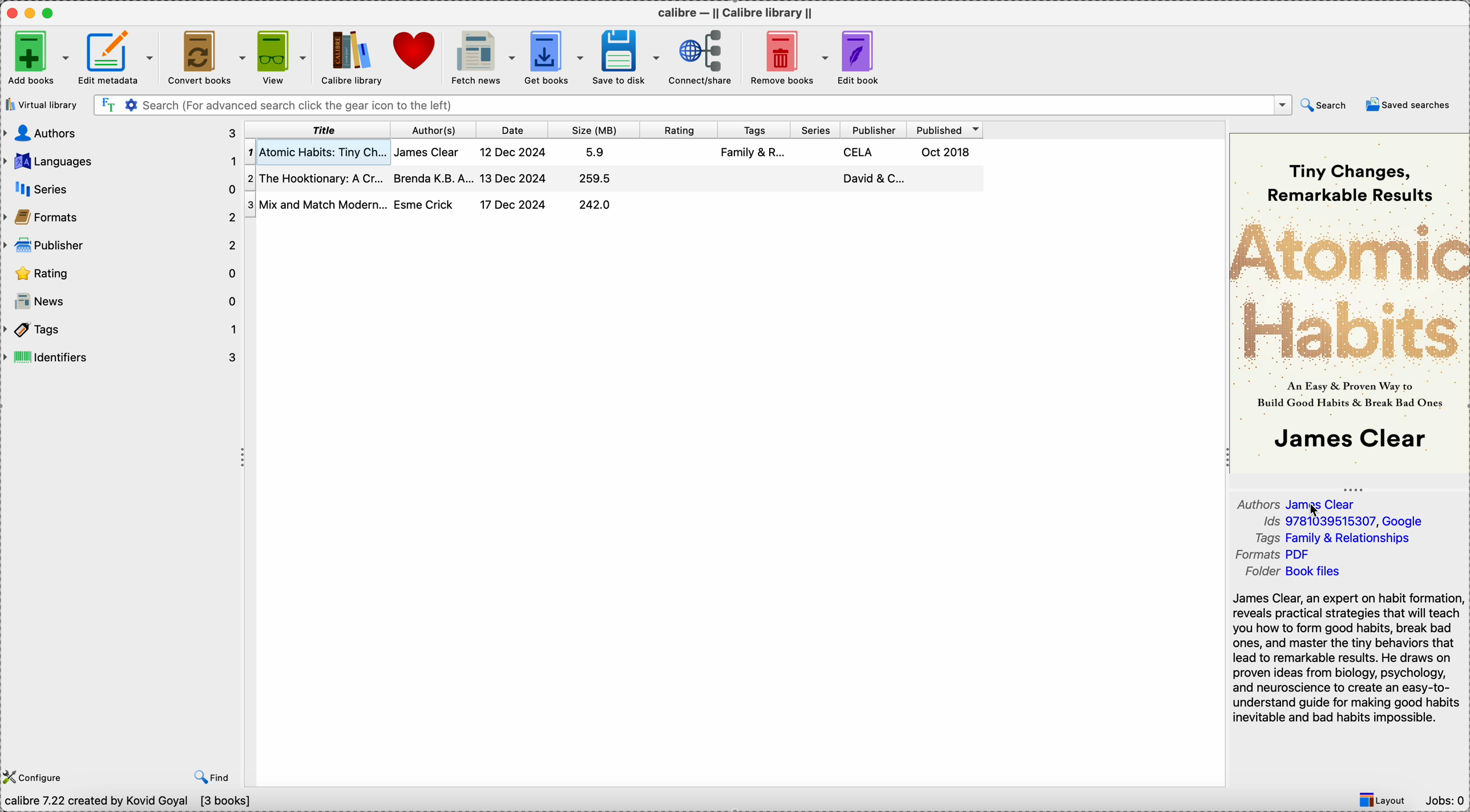  I want to click on author(s), so click(438, 128).